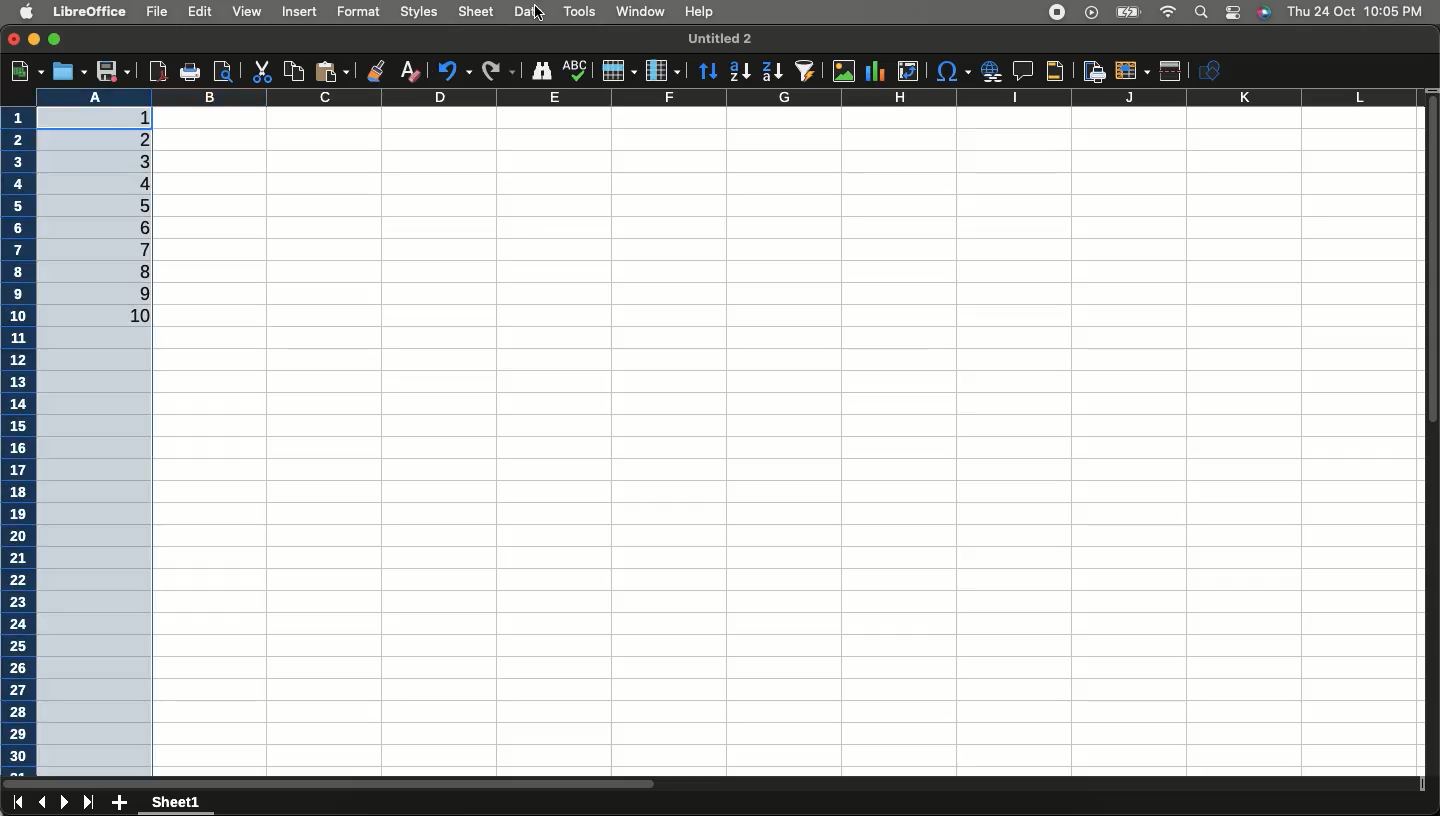 The image size is (1440, 816). Describe the element at coordinates (846, 72) in the screenshot. I see `Insert image` at that location.